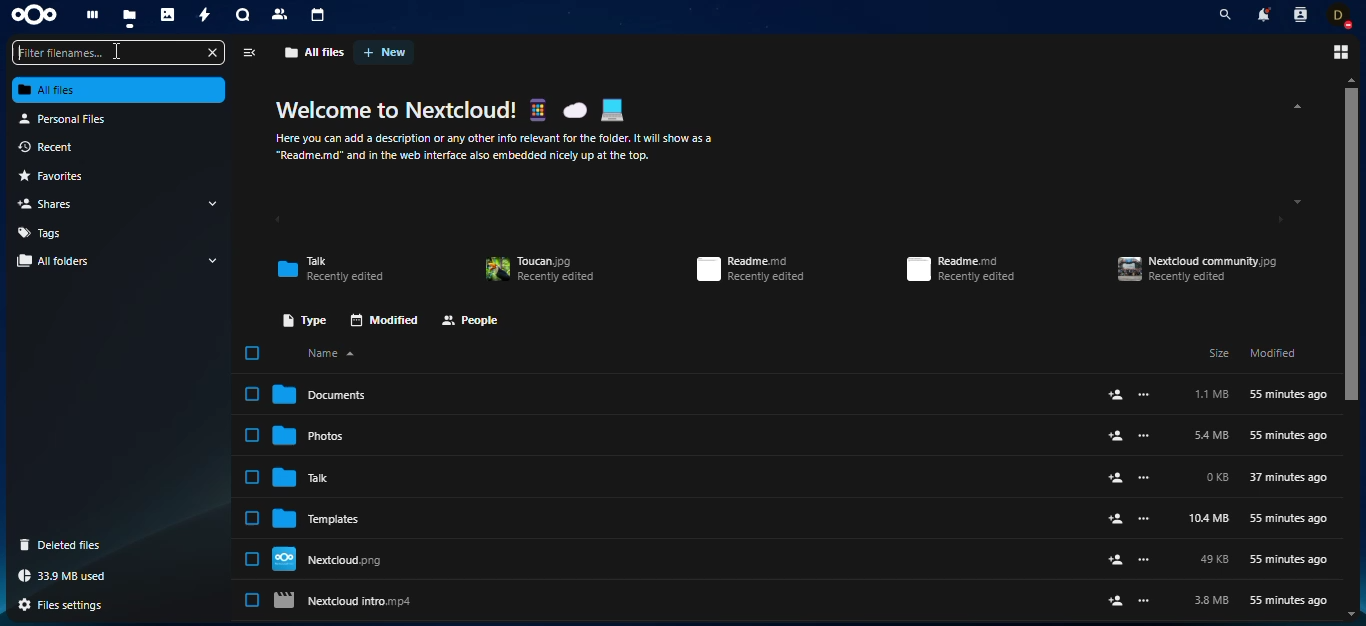  Describe the element at coordinates (1352, 79) in the screenshot. I see `scroll up` at that location.